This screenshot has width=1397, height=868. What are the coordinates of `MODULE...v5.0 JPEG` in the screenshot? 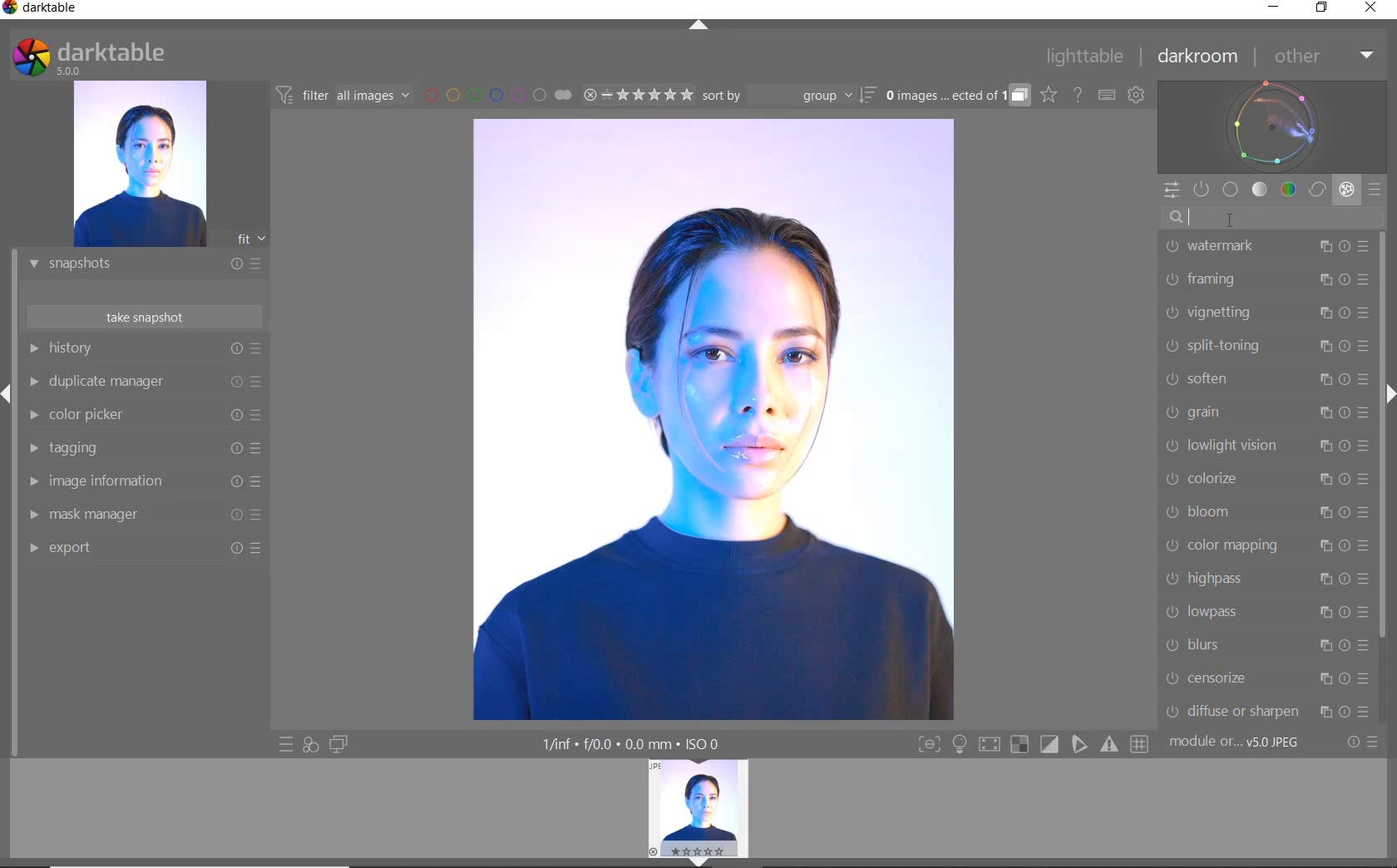 It's located at (1246, 742).